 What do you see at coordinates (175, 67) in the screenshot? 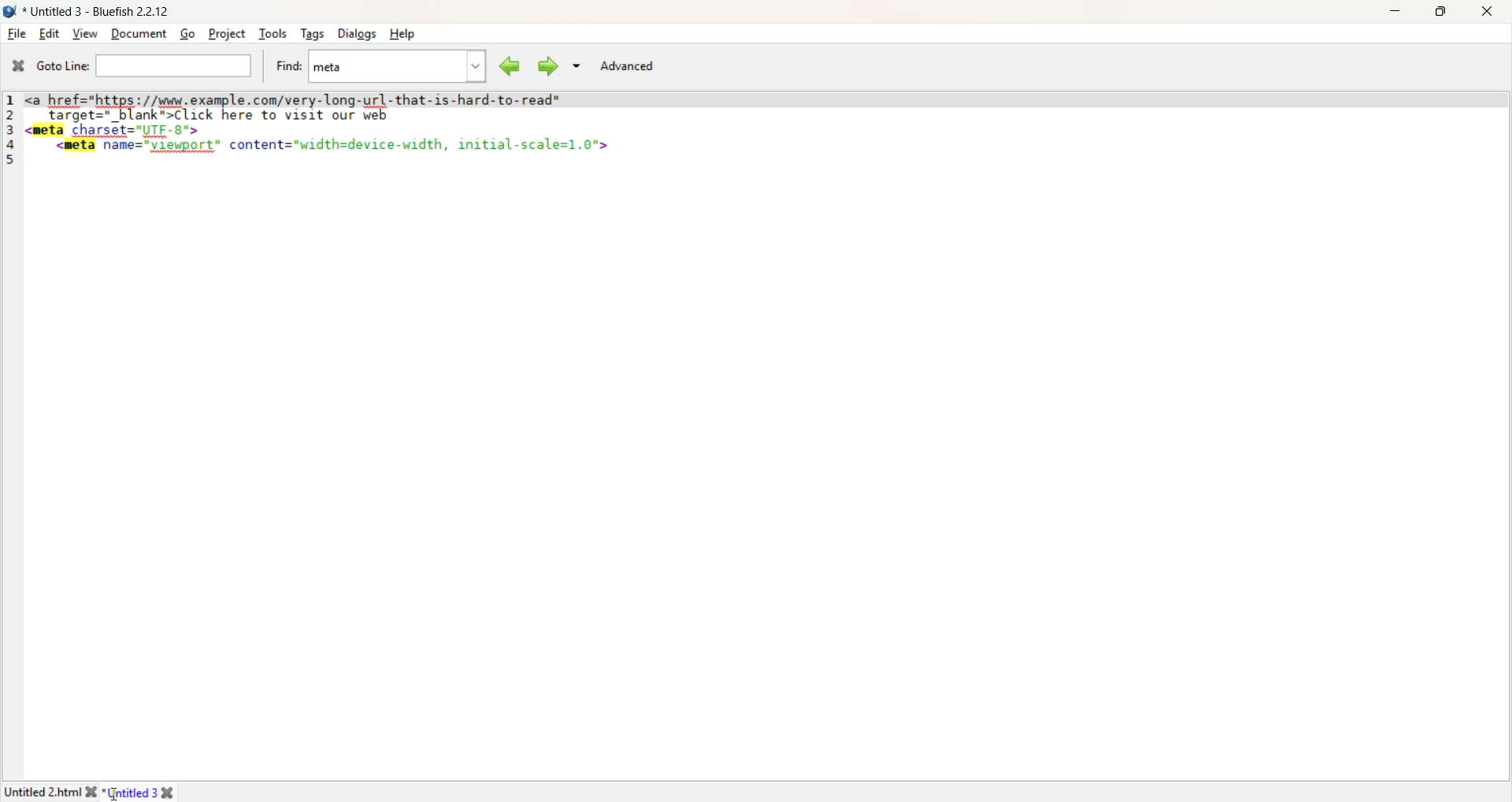
I see `Goto Line Search bar` at bounding box center [175, 67].